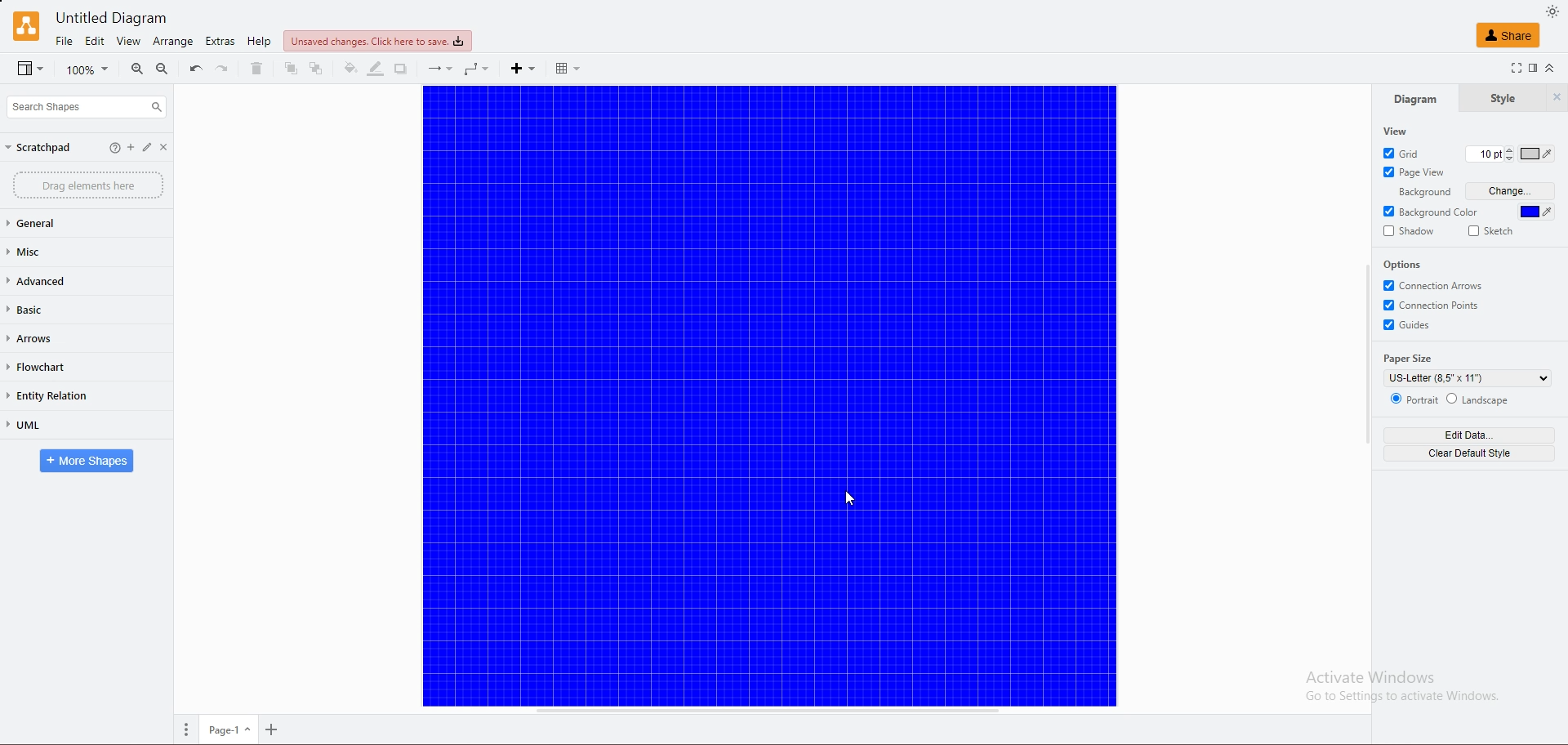 The image size is (1568, 745). Describe the element at coordinates (151, 149) in the screenshot. I see `edit` at that location.